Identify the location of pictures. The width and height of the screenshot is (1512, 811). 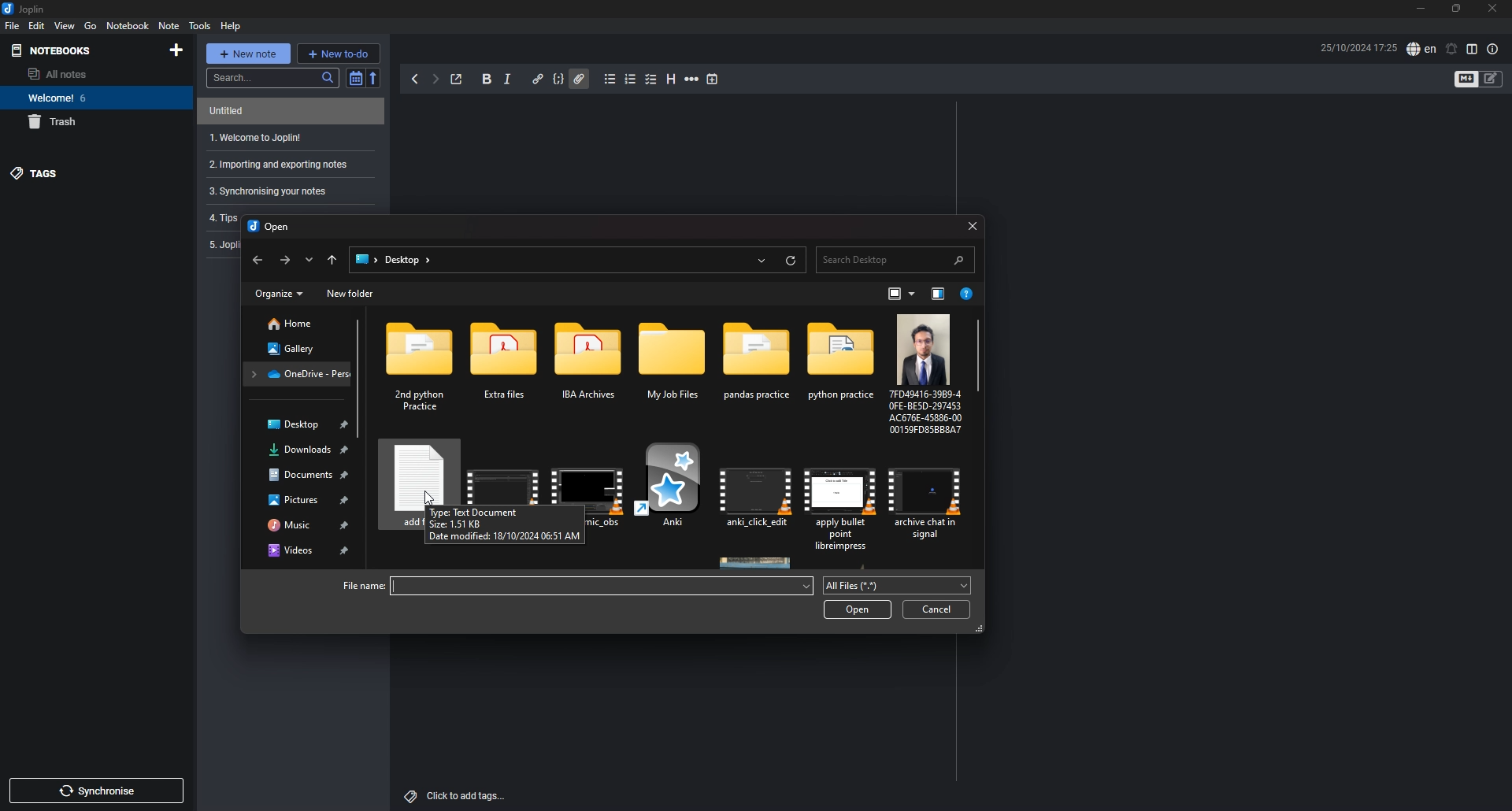
(303, 498).